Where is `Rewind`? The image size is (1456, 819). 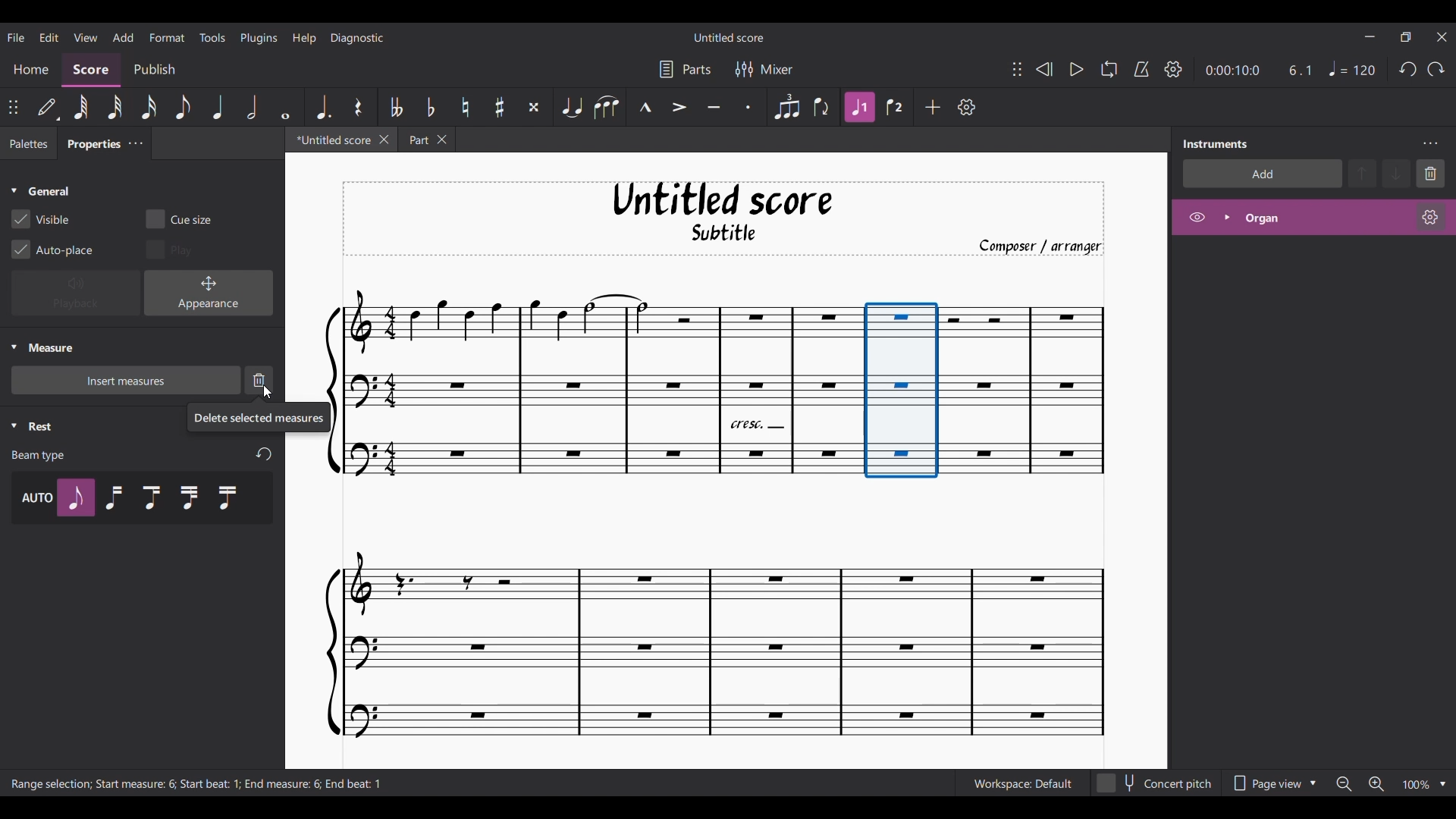 Rewind is located at coordinates (1044, 69).